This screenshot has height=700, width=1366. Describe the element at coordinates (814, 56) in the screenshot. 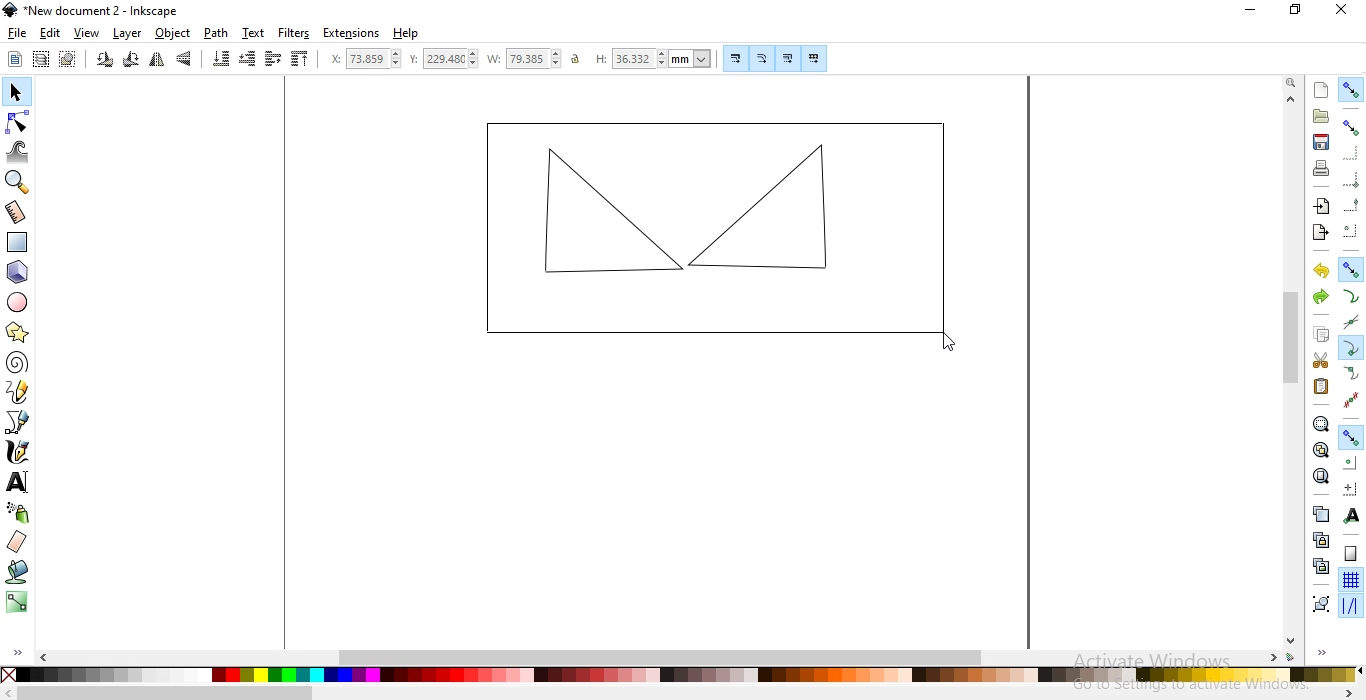

I see `move patterns along with objects` at that location.